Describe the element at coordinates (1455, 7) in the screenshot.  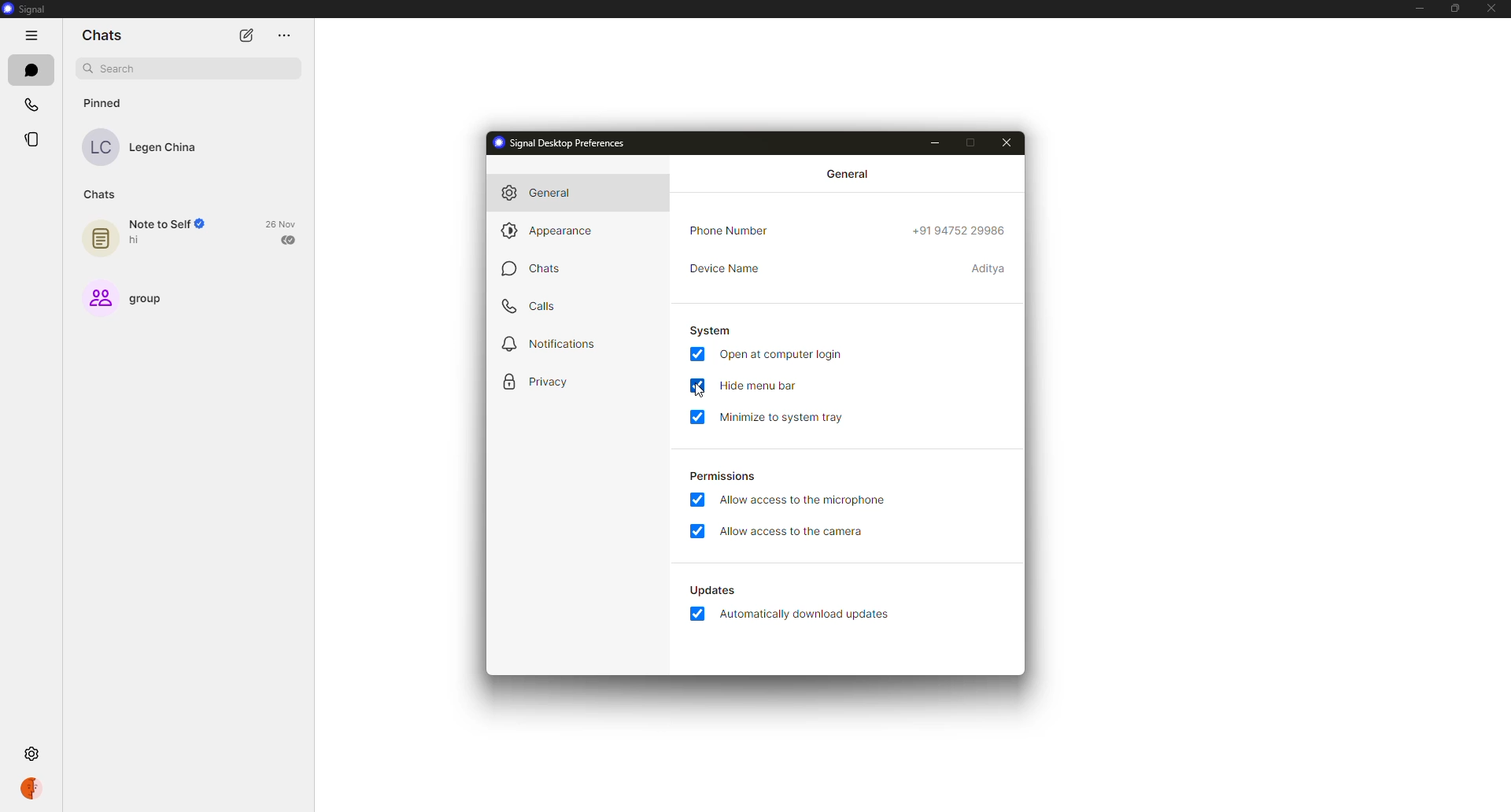
I see `maximize` at that location.